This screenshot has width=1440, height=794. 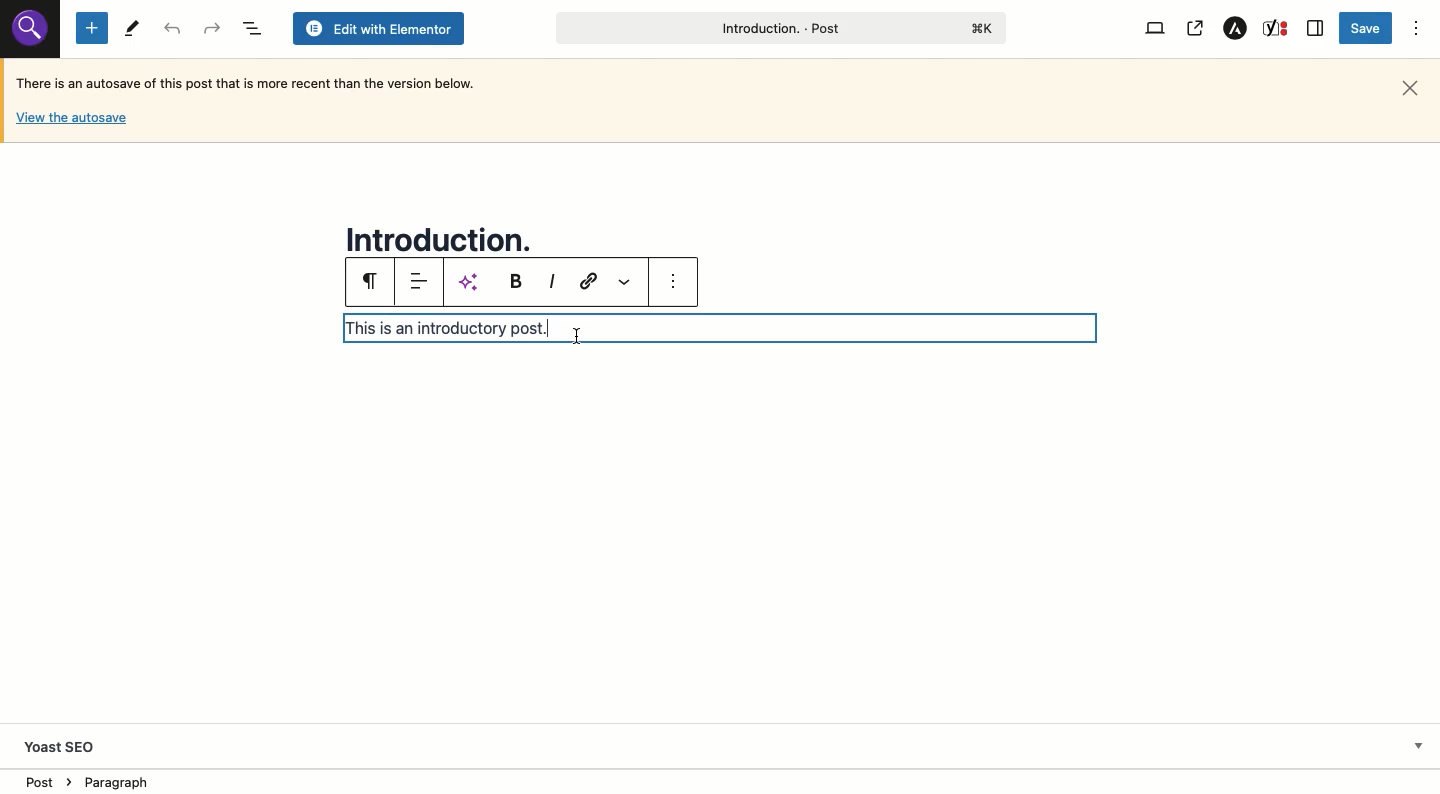 What do you see at coordinates (1194, 29) in the screenshot?
I see `View post` at bounding box center [1194, 29].